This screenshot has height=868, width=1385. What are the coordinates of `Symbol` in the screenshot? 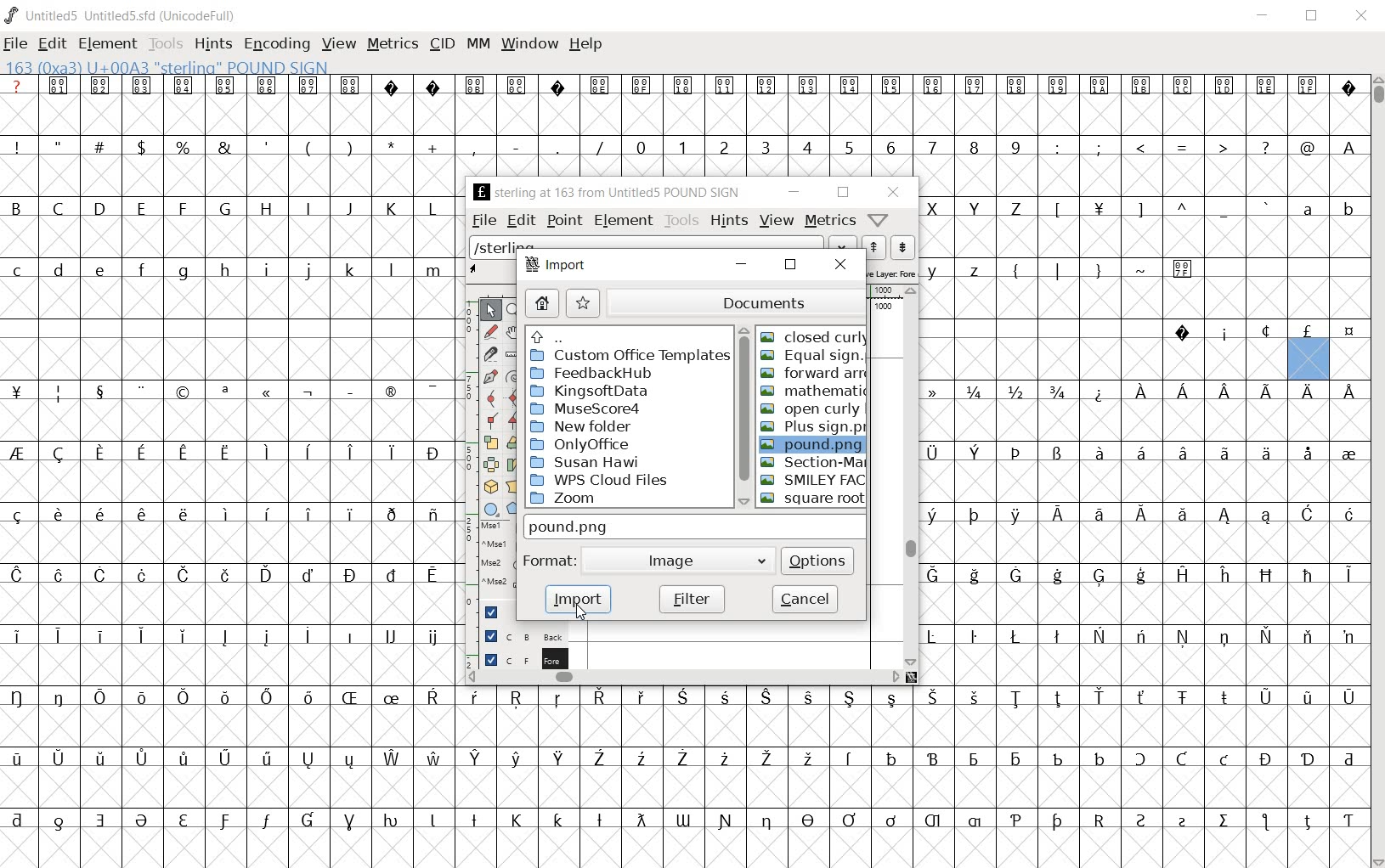 It's located at (1143, 391).